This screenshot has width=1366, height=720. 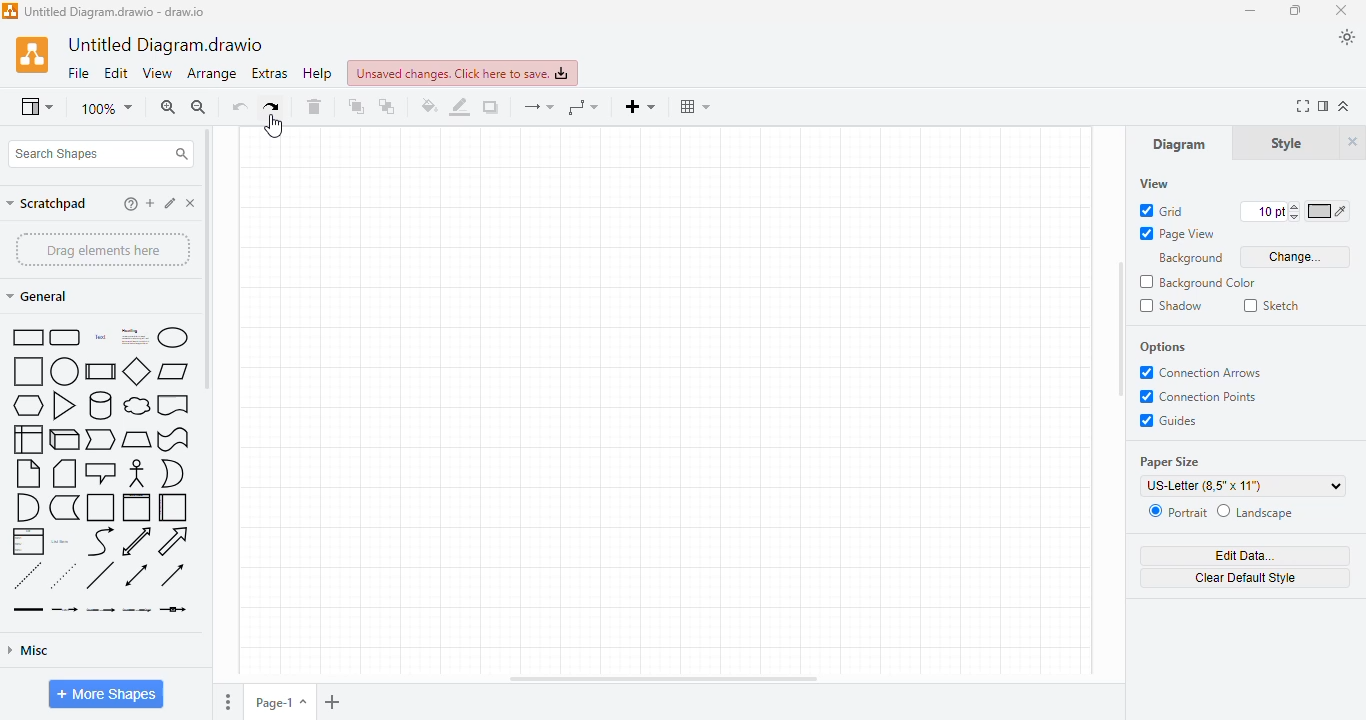 What do you see at coordinates (115, 11) in the screenshot?
I see `title` at bounding box center [115, 11].